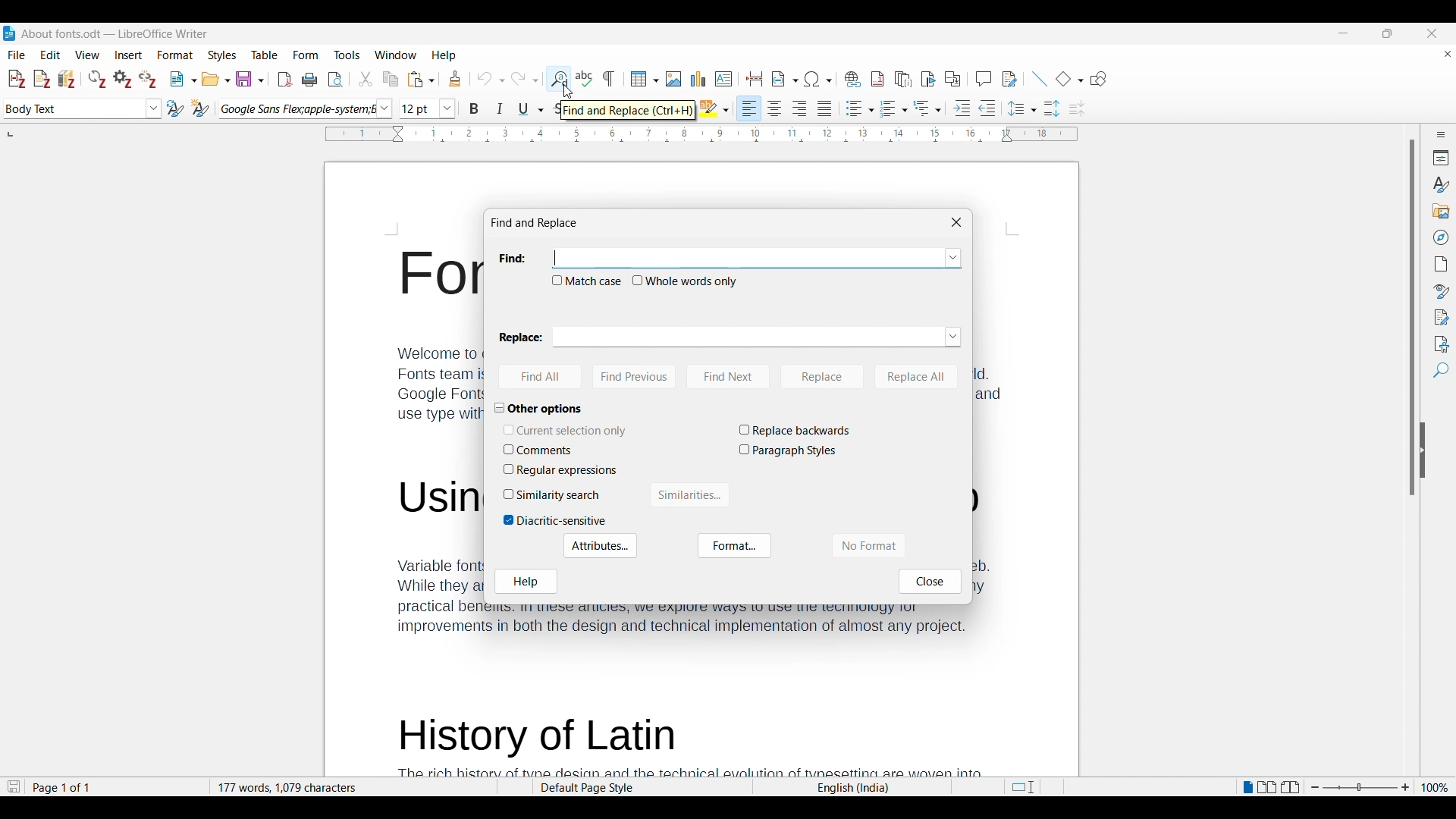  Describe the element at coordinates (645, 79) in the screenshot. I see `Insert table` at that location.